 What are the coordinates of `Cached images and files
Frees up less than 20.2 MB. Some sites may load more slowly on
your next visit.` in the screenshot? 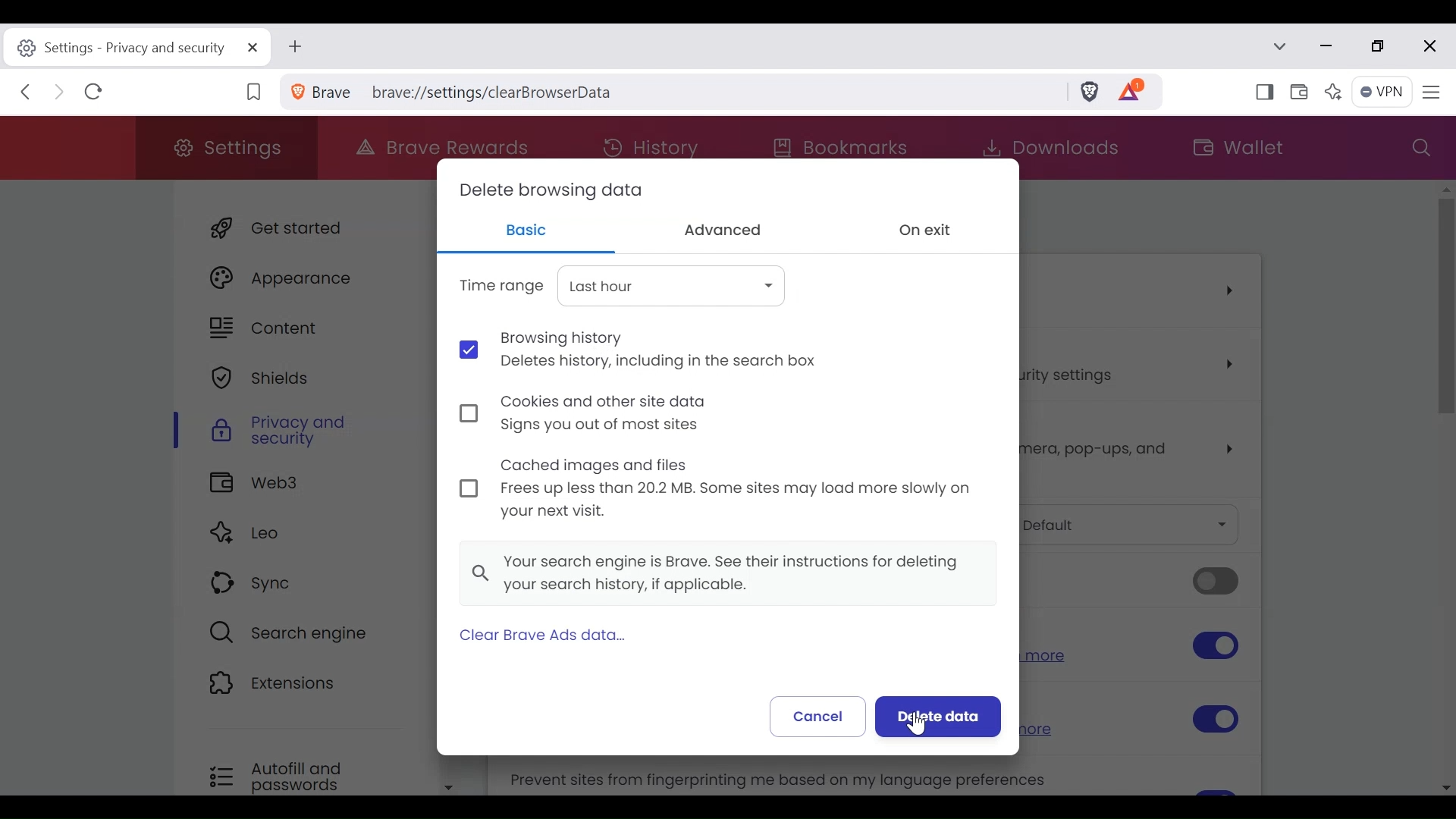 It's located at (716, 491).